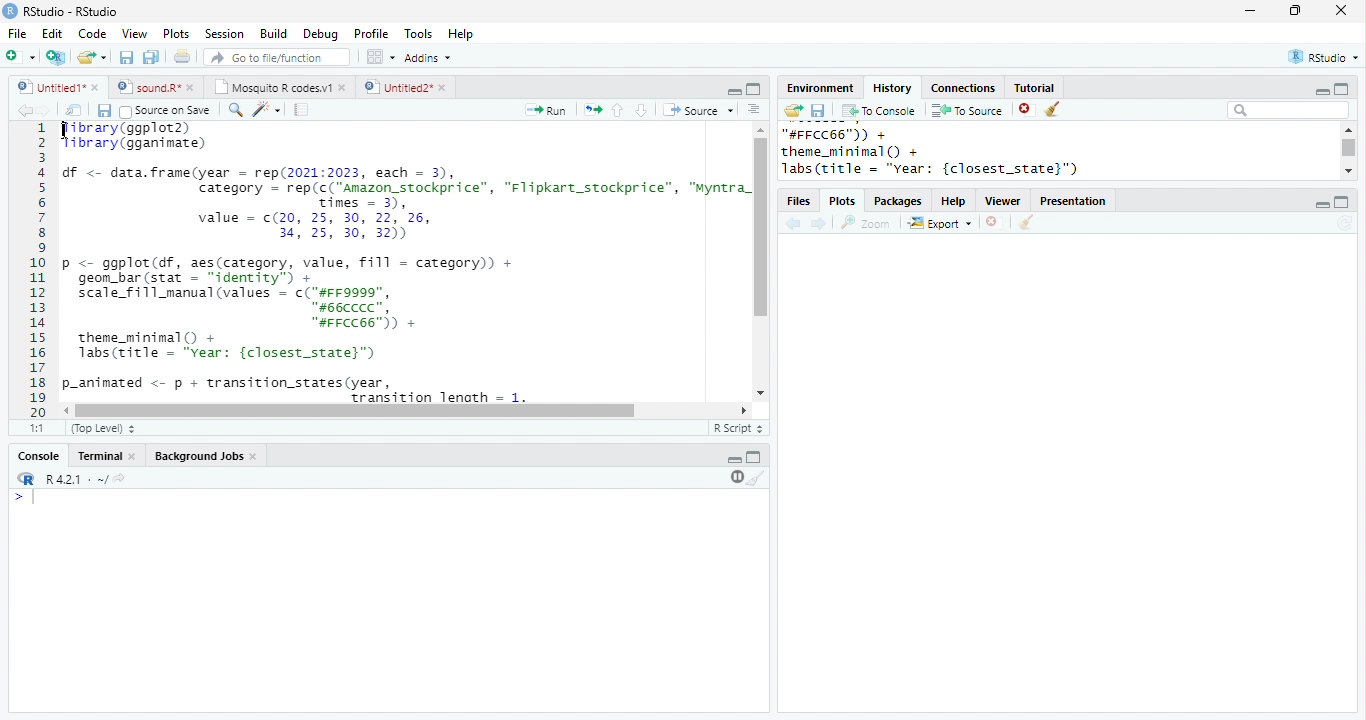  I want to click on History, so click(892, 88).